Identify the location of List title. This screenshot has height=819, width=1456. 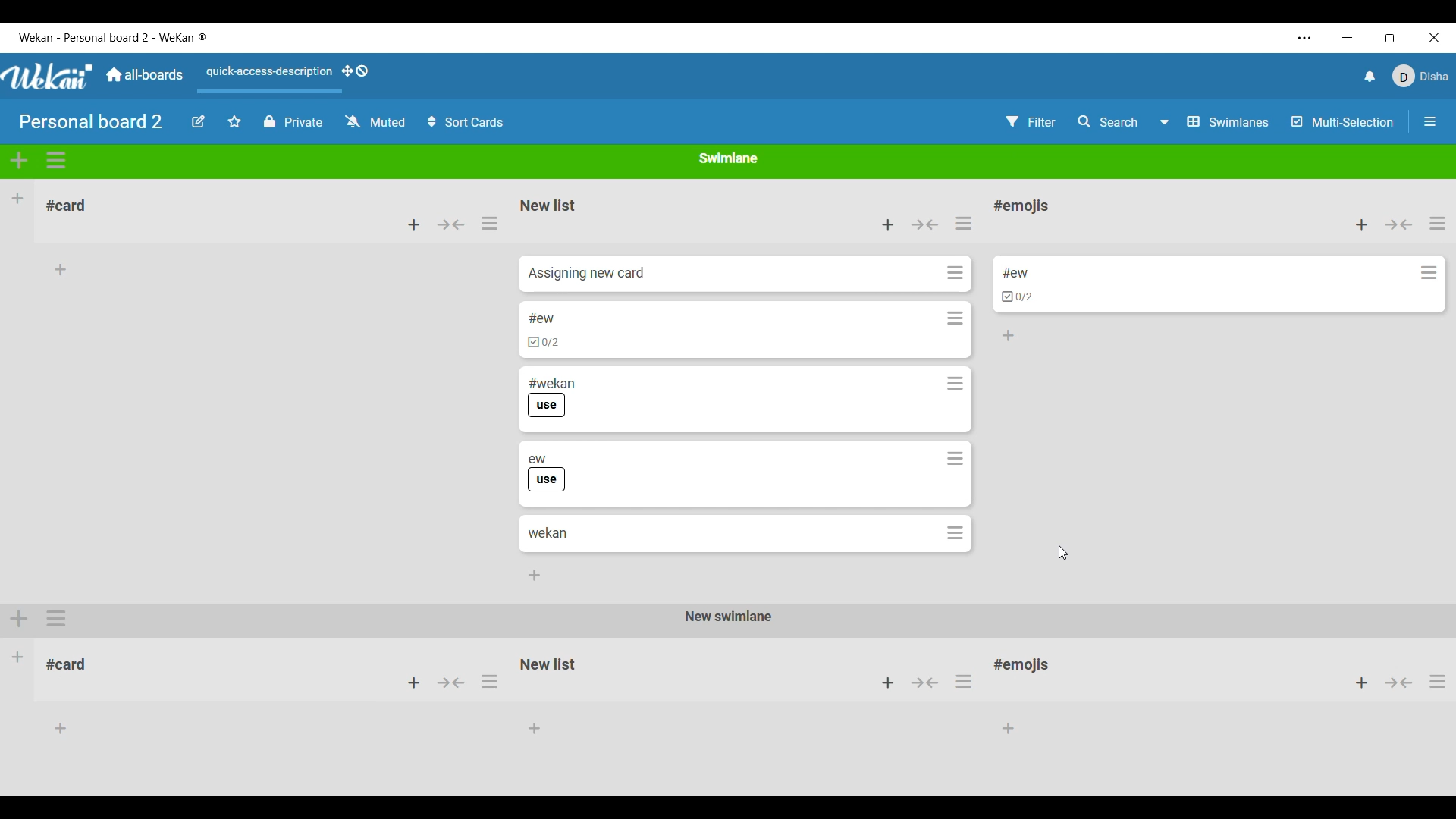
(1021, 206).